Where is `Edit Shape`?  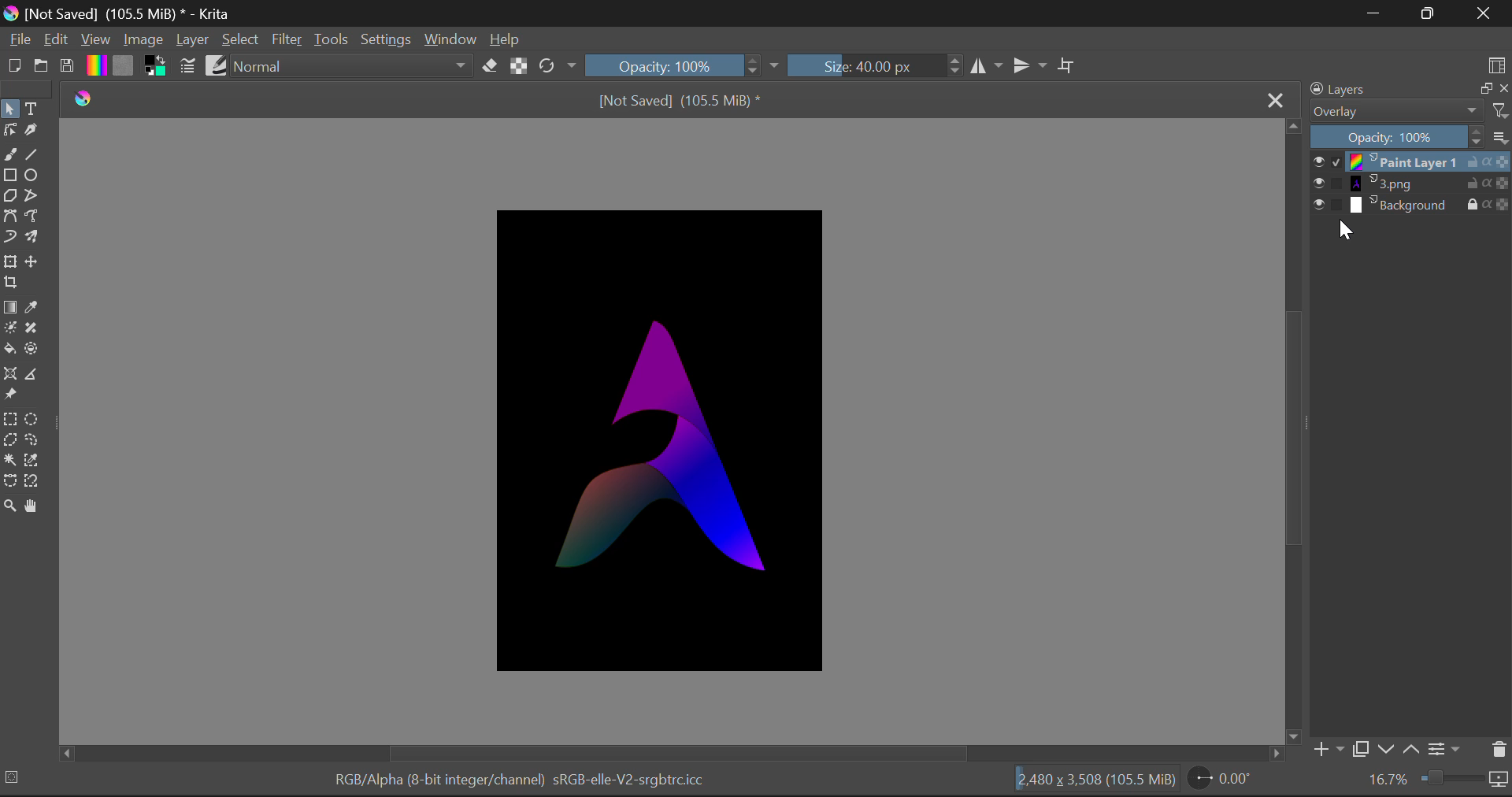
Edit Shape is located at coordinates (9, 130).